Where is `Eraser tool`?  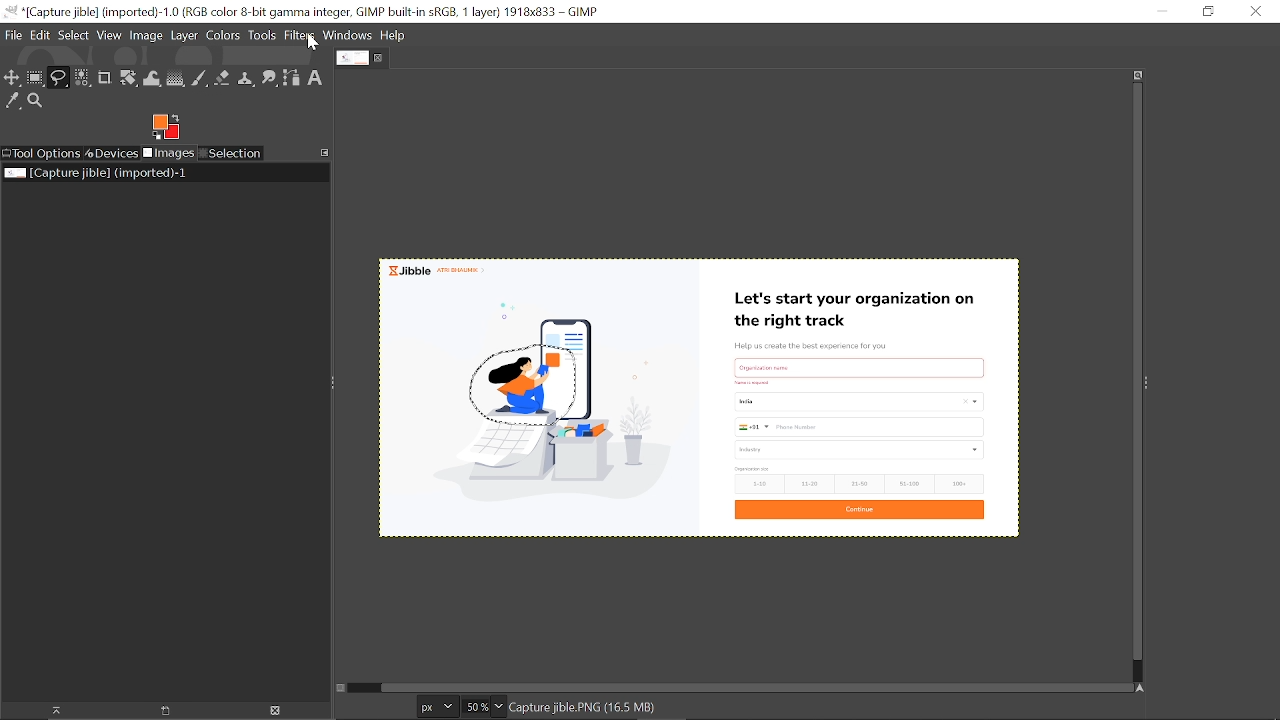
Eraser tool is located at coordinates (222, 78).